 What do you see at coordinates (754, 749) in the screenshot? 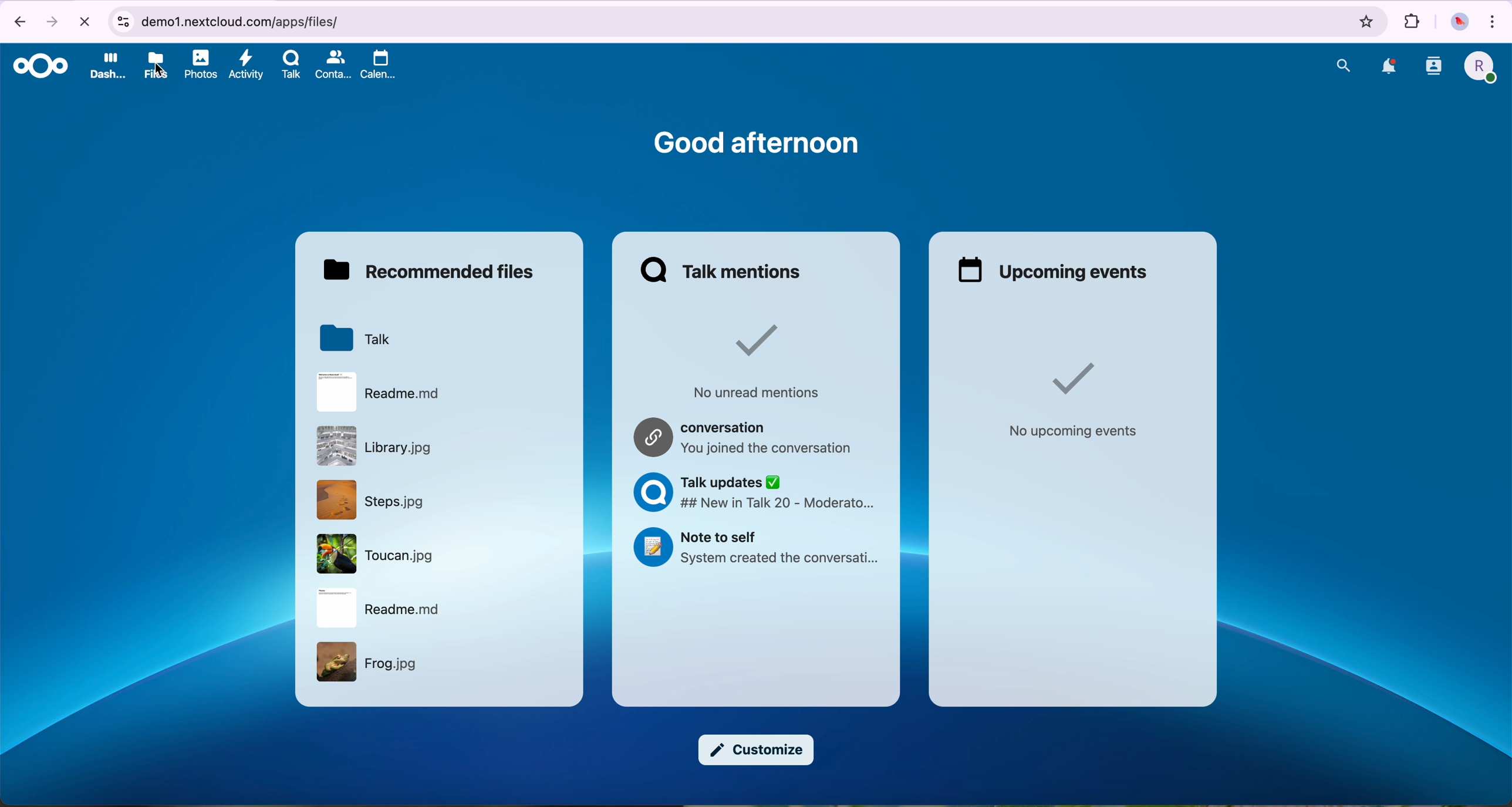
I see `customize button` at bounding box center [754, 749].